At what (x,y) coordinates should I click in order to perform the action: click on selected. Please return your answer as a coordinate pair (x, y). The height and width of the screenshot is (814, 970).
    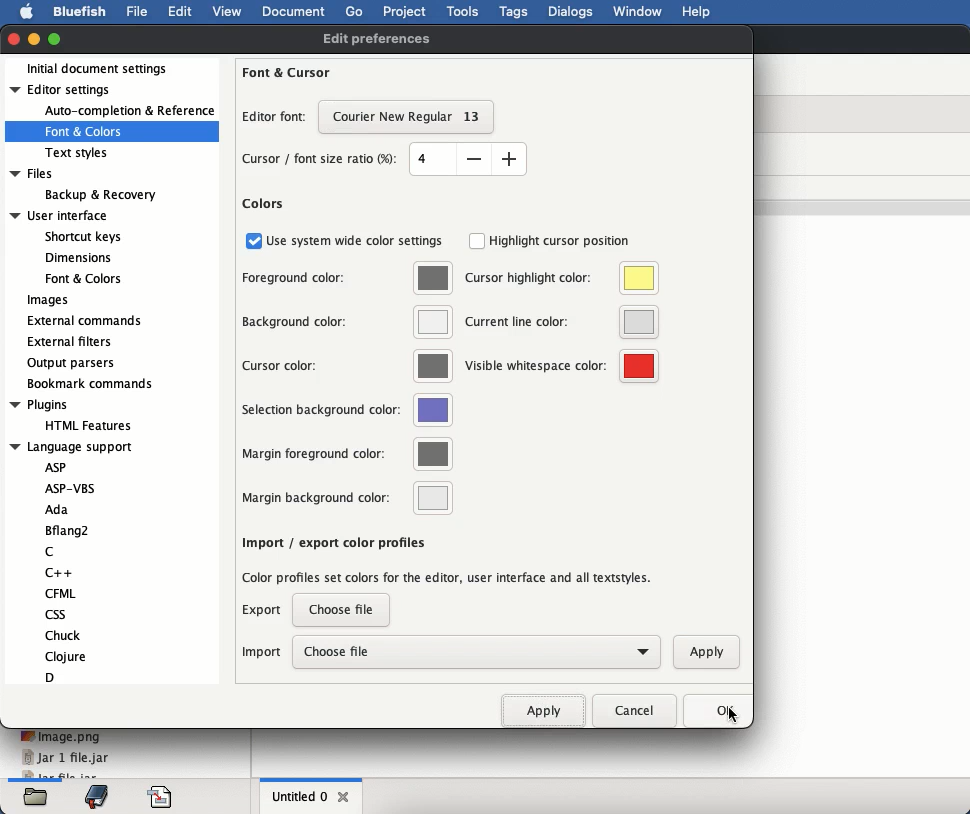
    Looking at the image, I should click on (407, 119).